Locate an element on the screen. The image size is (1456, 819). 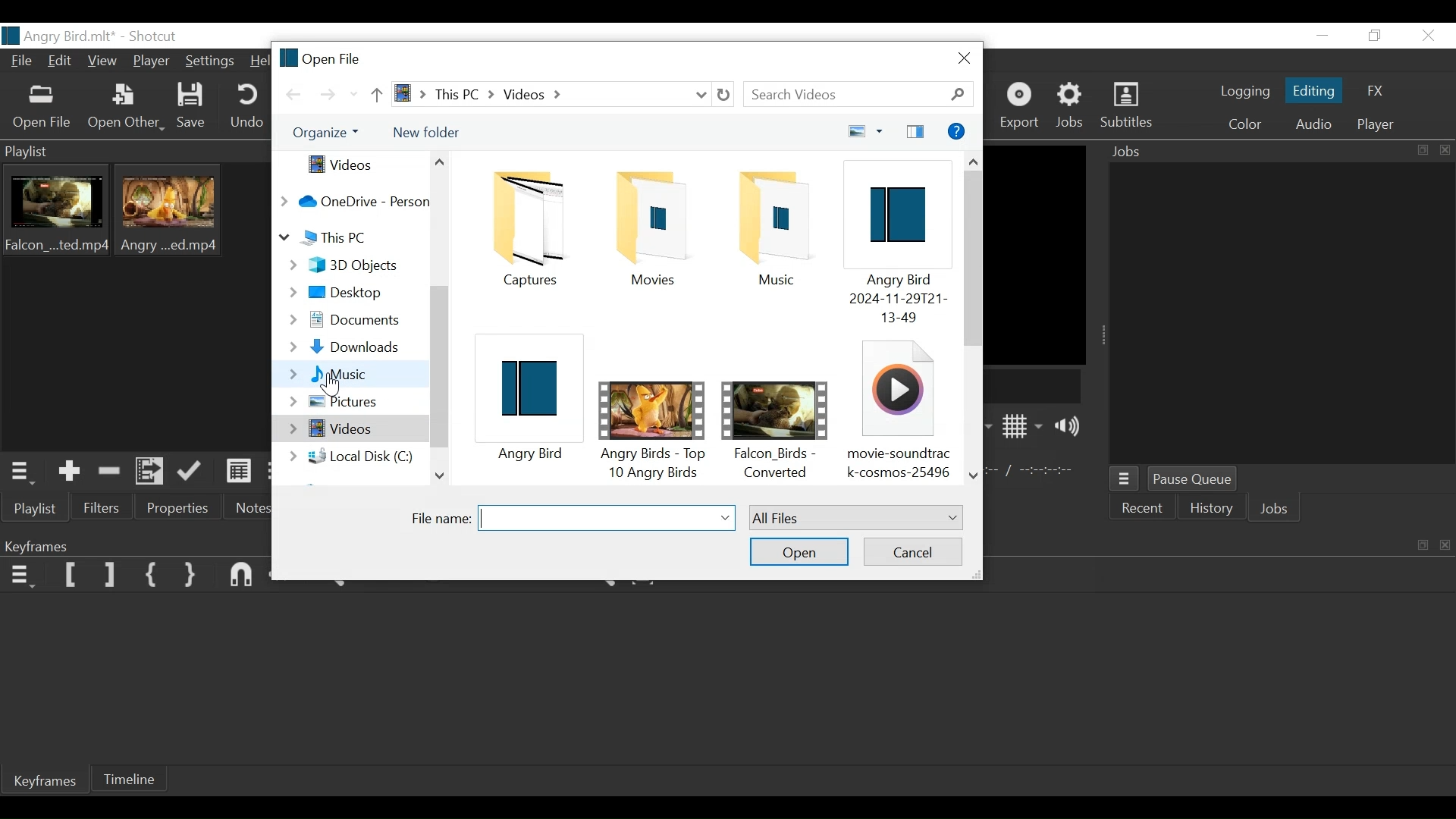
Undo is located at coordinates (249, 108).